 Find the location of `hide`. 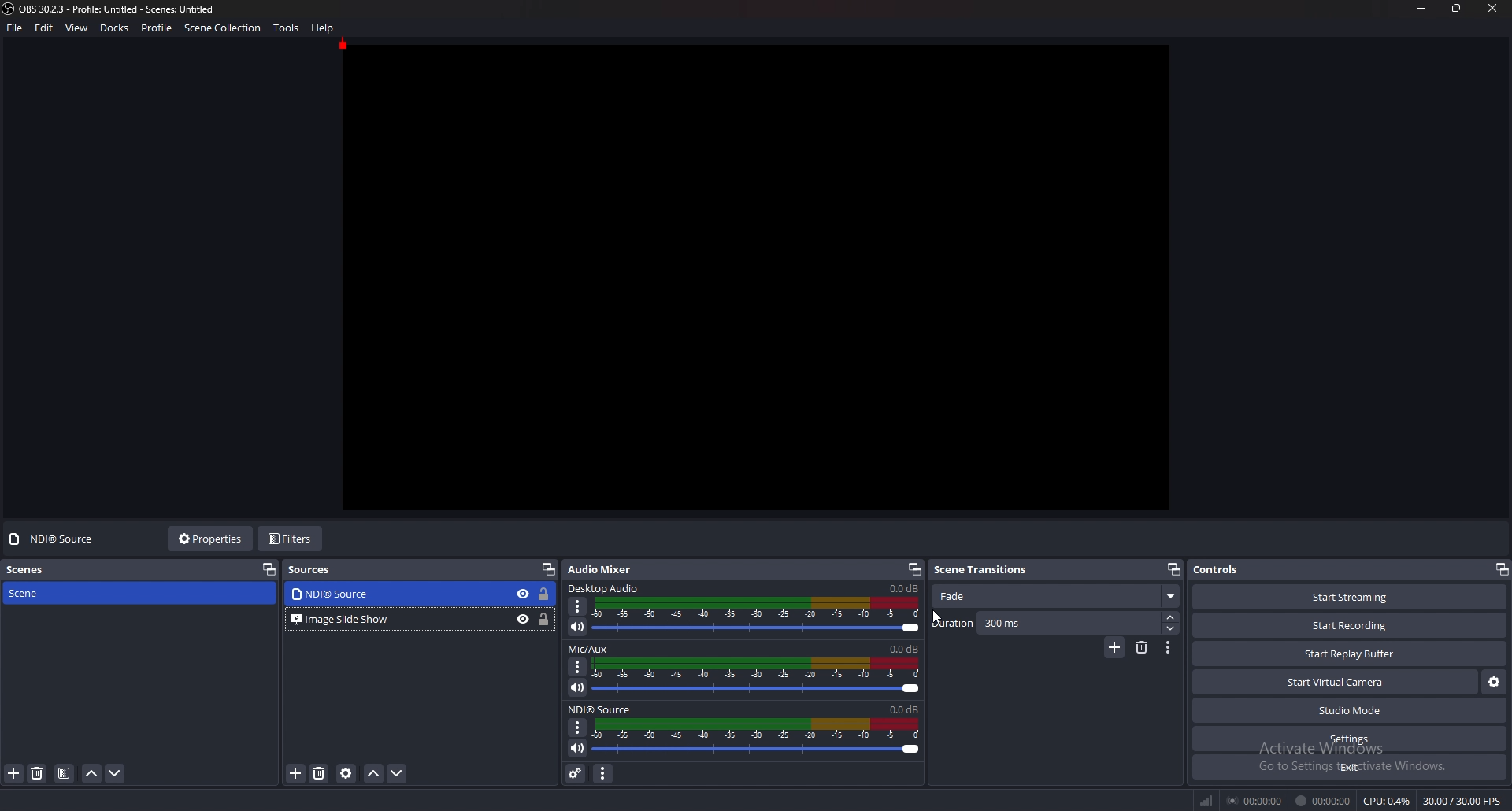

hide is located at coordinates (522, 594).